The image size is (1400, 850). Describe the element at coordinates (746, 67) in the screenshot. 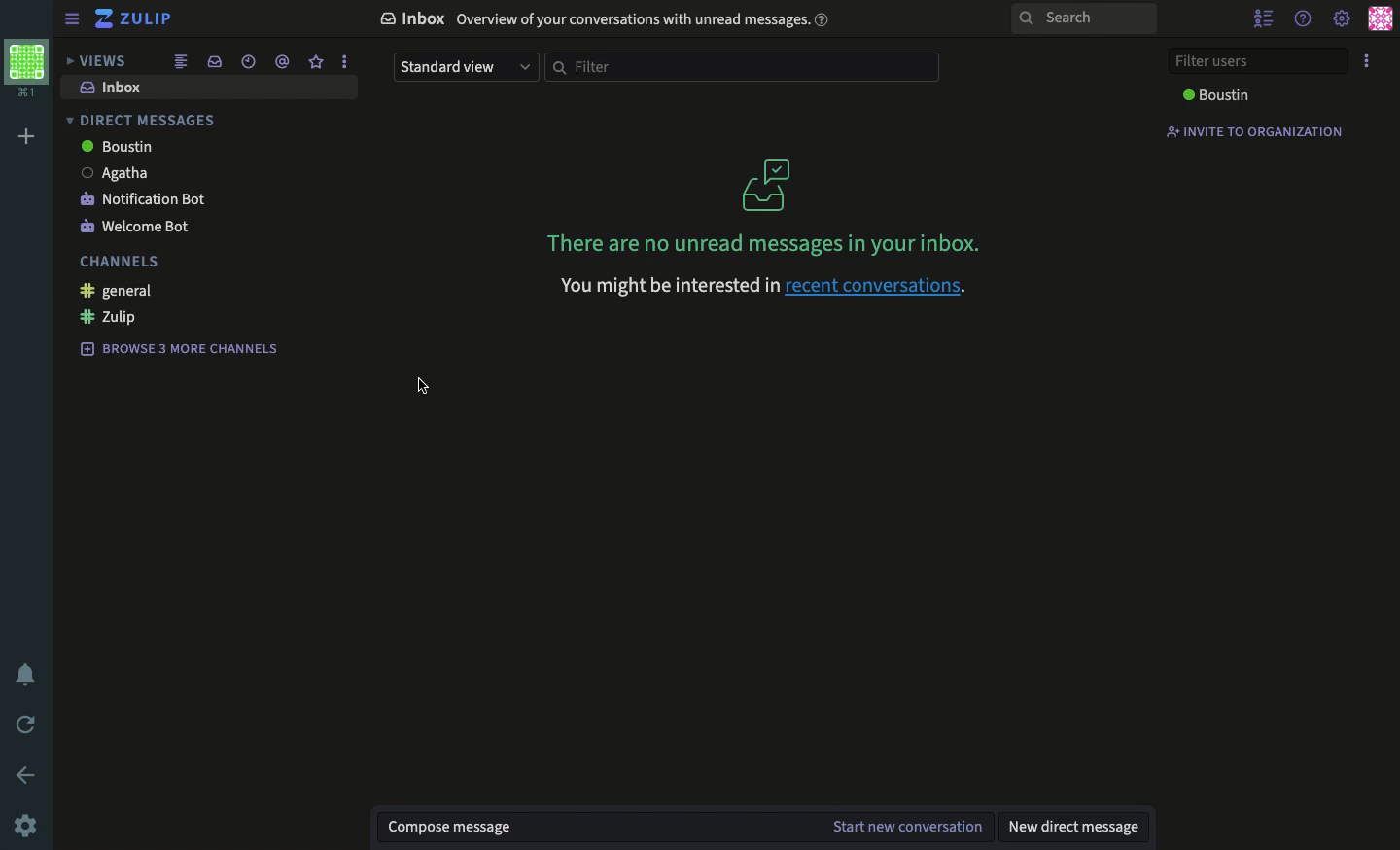

I see `filter` at that location.